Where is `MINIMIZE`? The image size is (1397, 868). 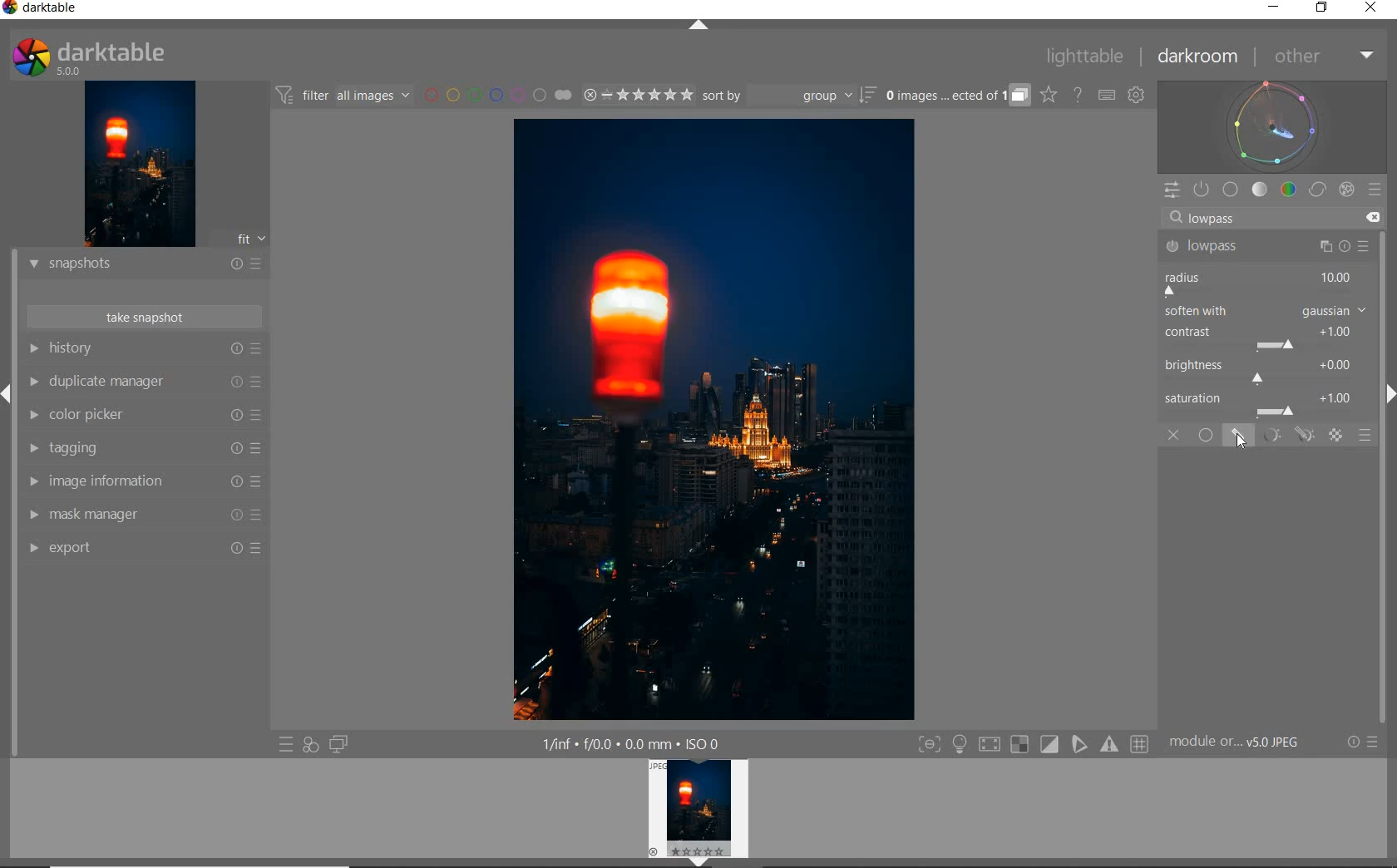 MINIMIZE is located at coordinates (1271, 8).